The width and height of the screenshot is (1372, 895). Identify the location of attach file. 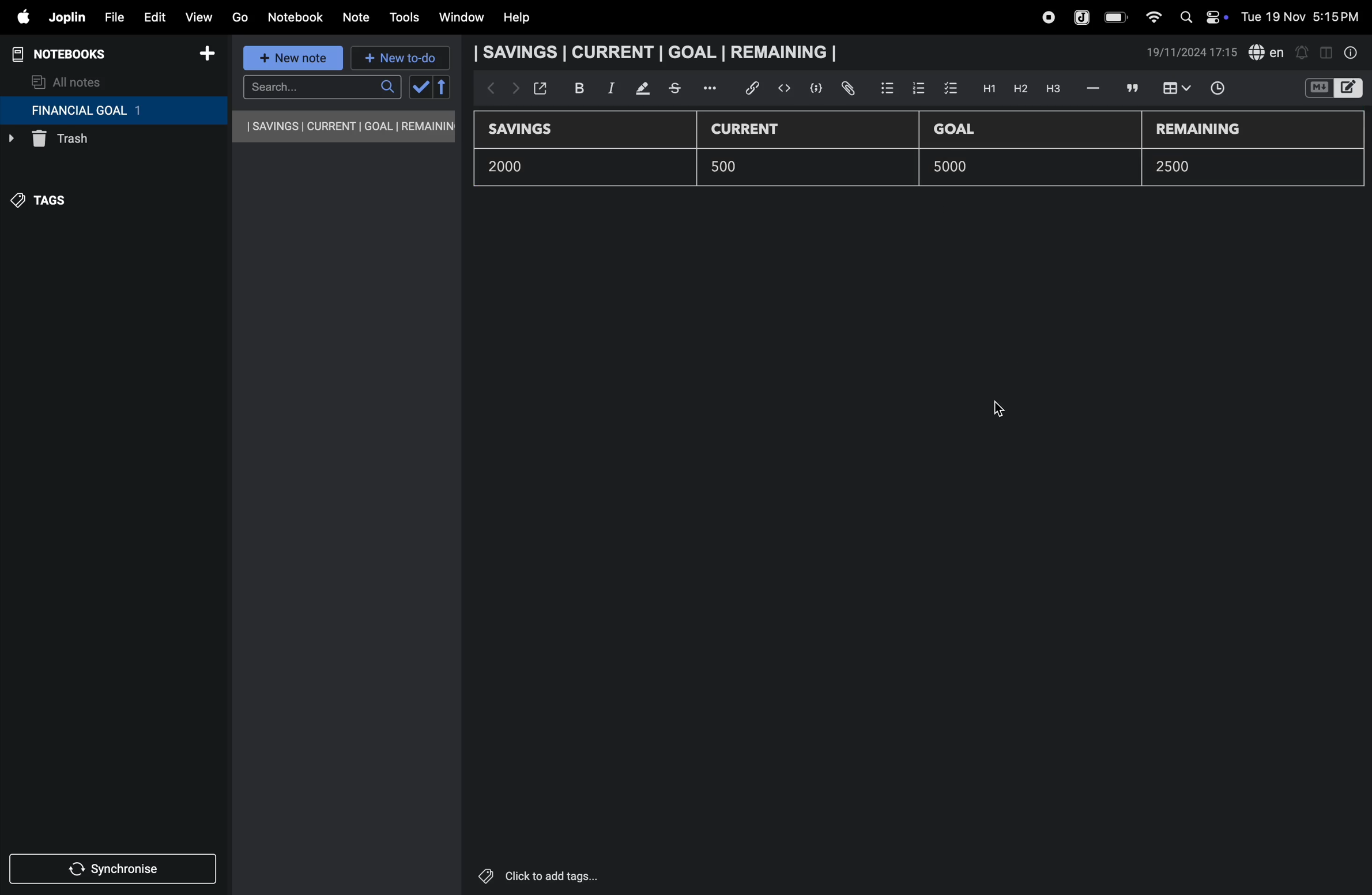
(847, 89).